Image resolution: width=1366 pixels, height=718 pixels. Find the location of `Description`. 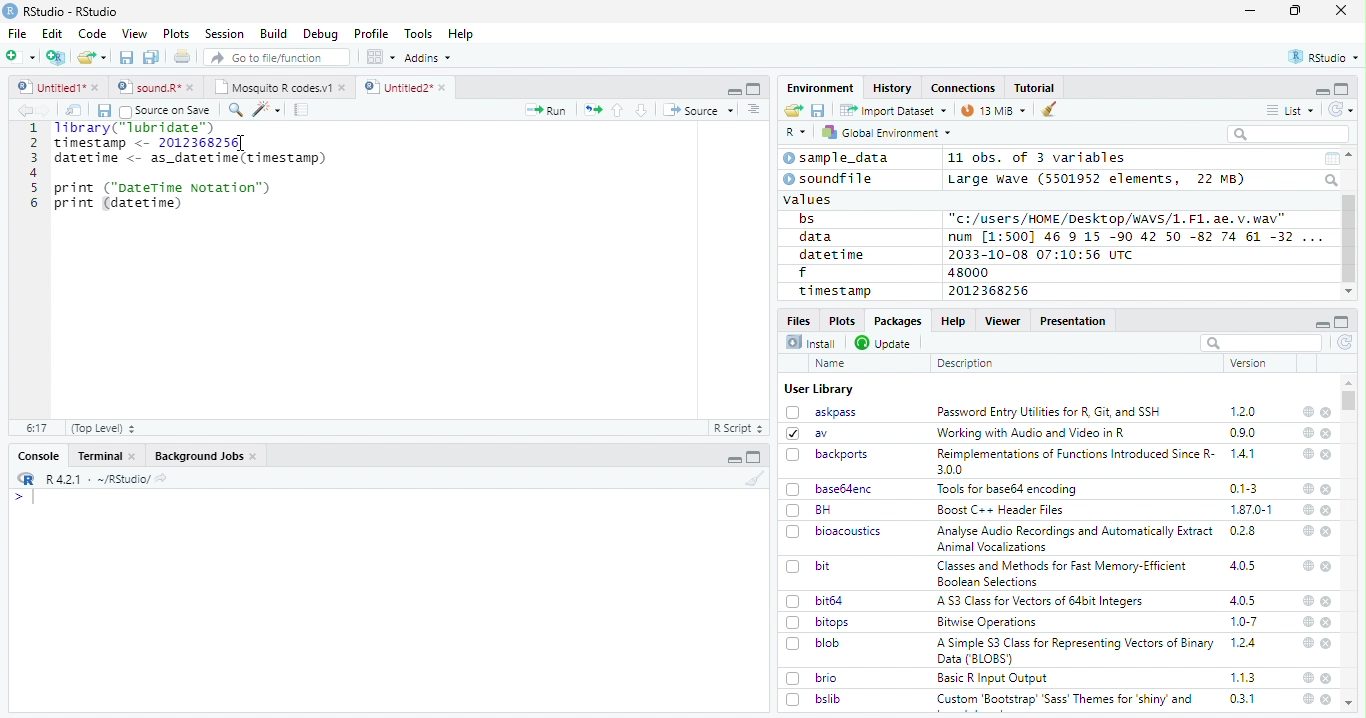

Description is located at coordinates (966, 363).